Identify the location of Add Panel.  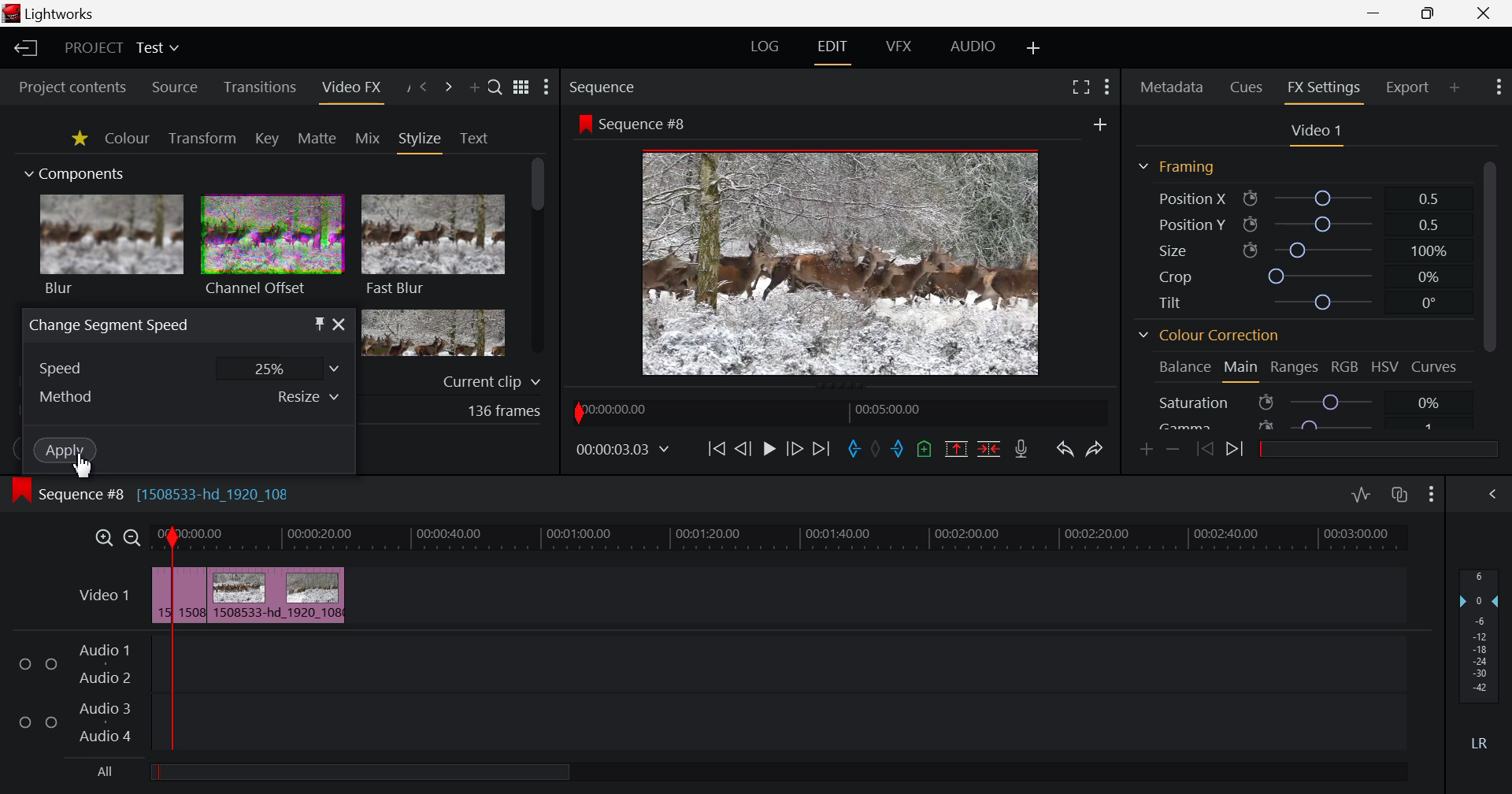
(474, 87).